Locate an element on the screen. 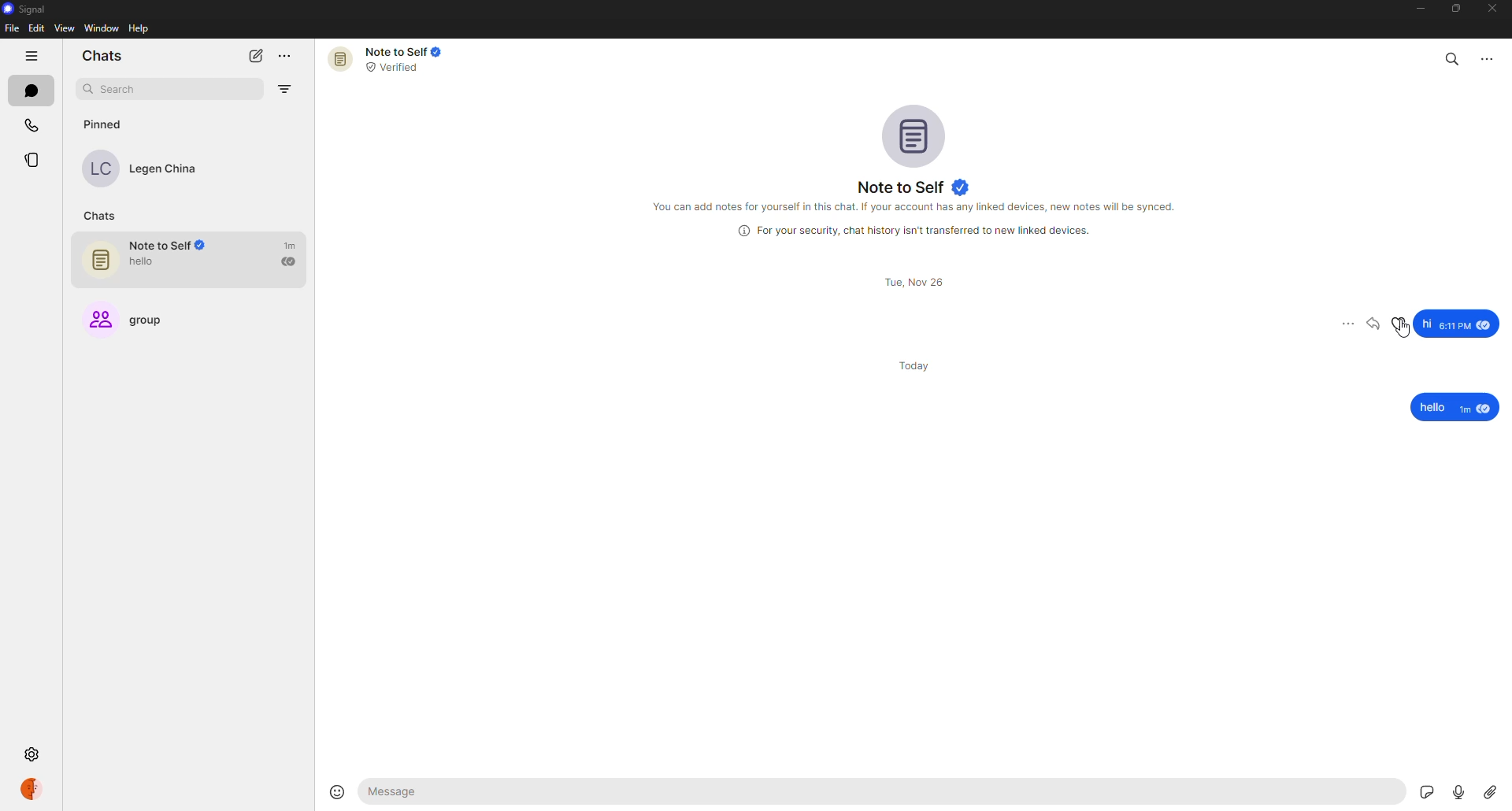  chats is located at coordinates (104, 216).